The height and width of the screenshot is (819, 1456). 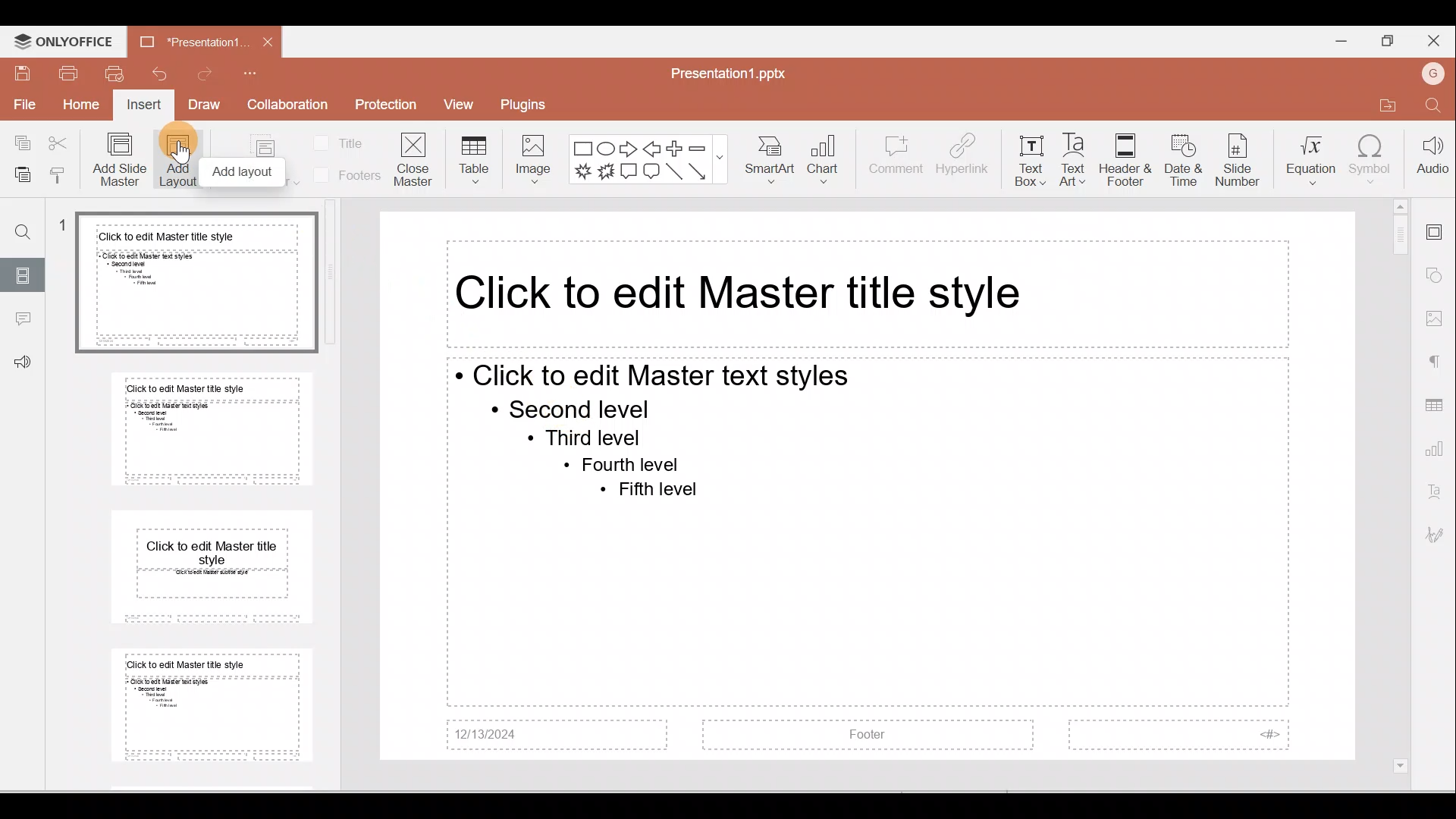 I want to click on Hyperlink, so click(x=963, y=158).